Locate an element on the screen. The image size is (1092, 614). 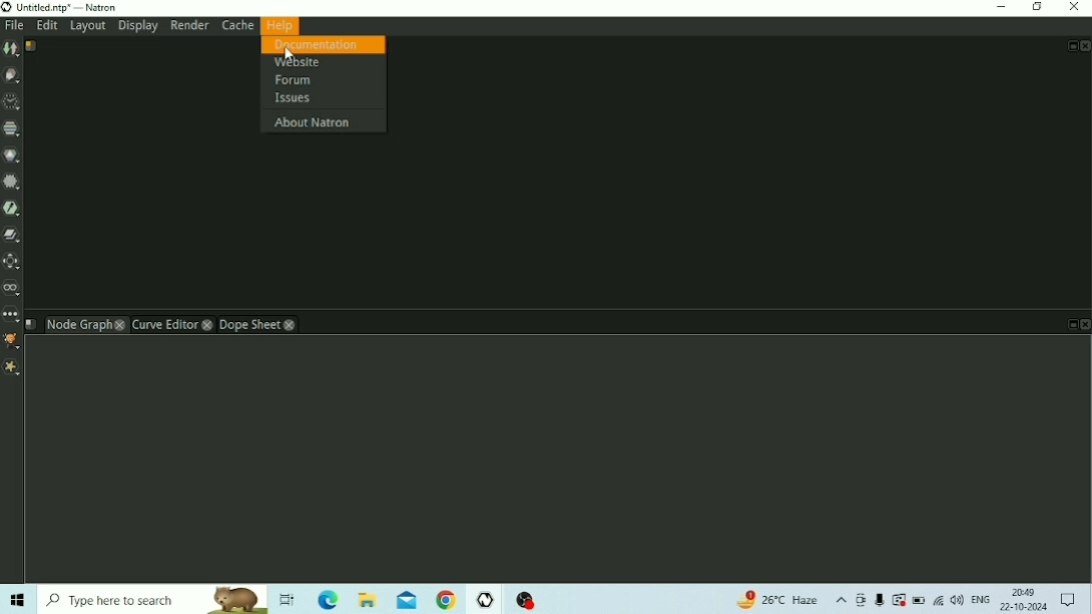
File Explorer is located at coordinates (369, 599).